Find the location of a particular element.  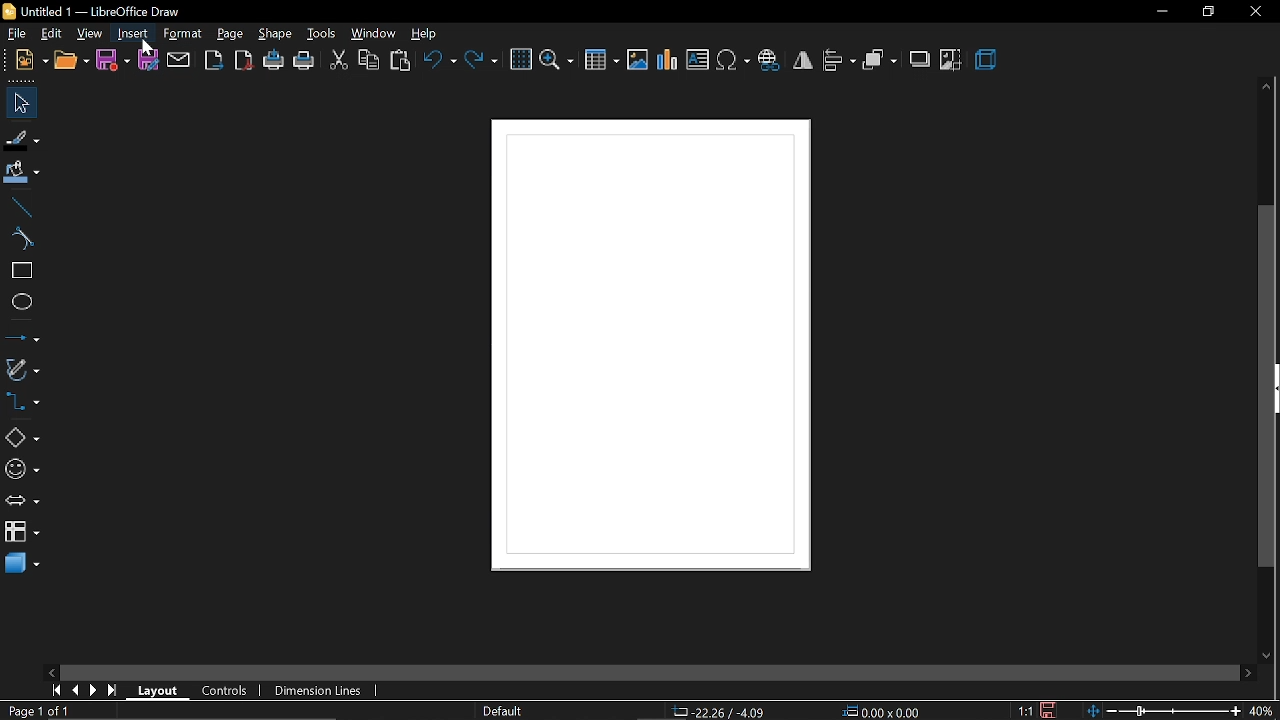

save is located at coordinates (1050, 709).